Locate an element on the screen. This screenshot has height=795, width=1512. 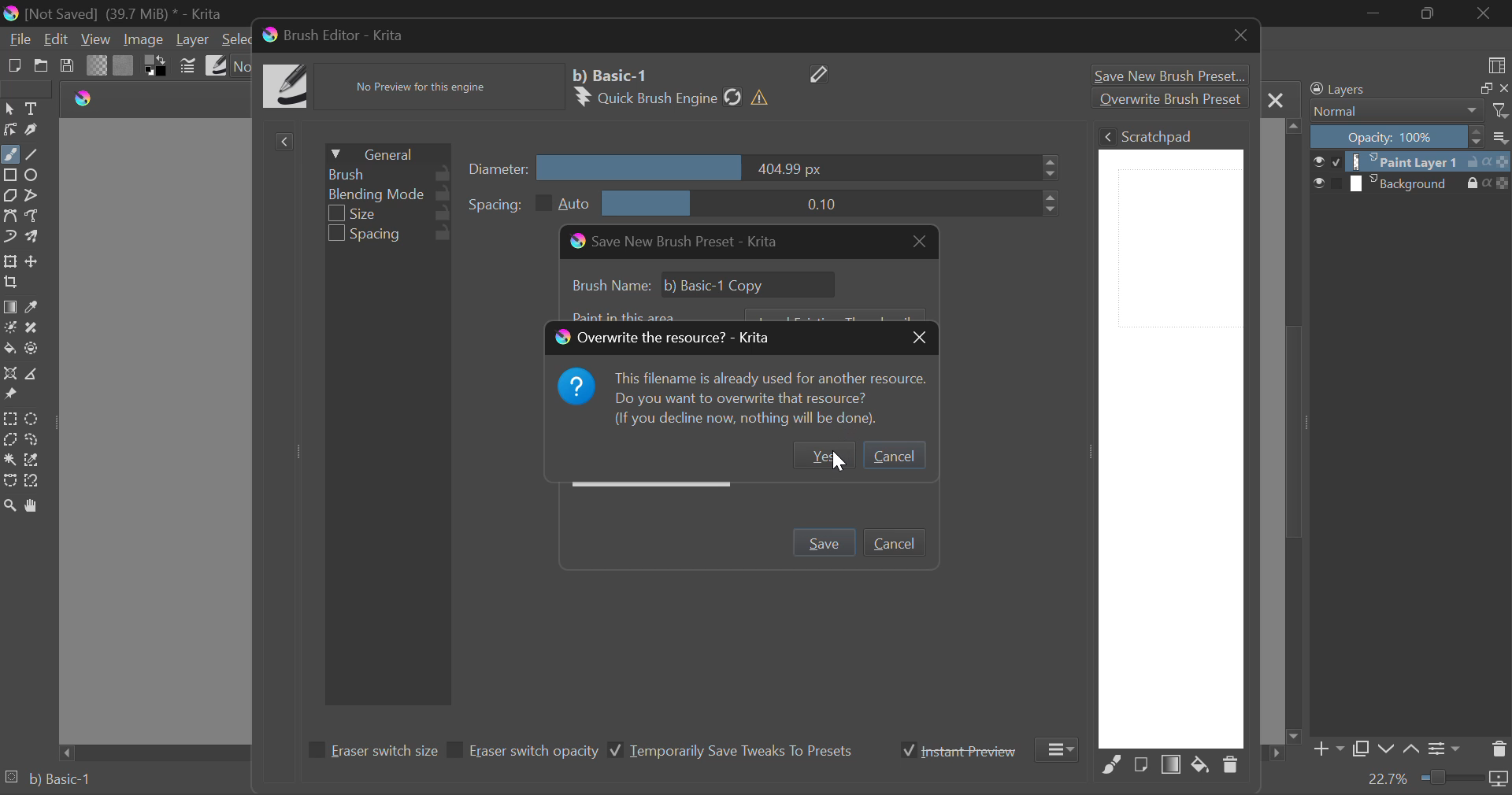
Circular Selection is located at coordinates (32, 419).